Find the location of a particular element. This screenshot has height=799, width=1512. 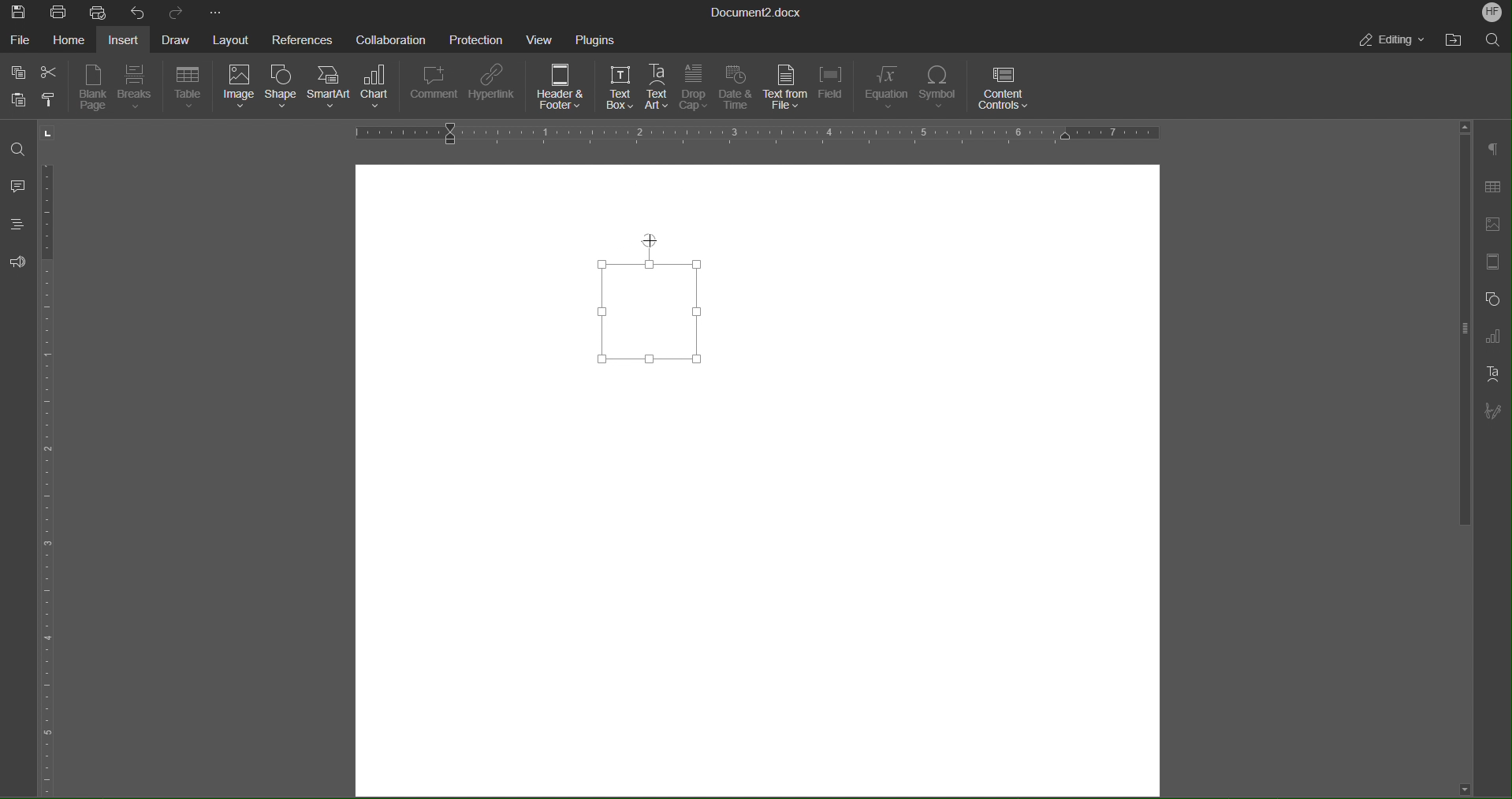

Insert Image is located at coordinates (1490, 225).